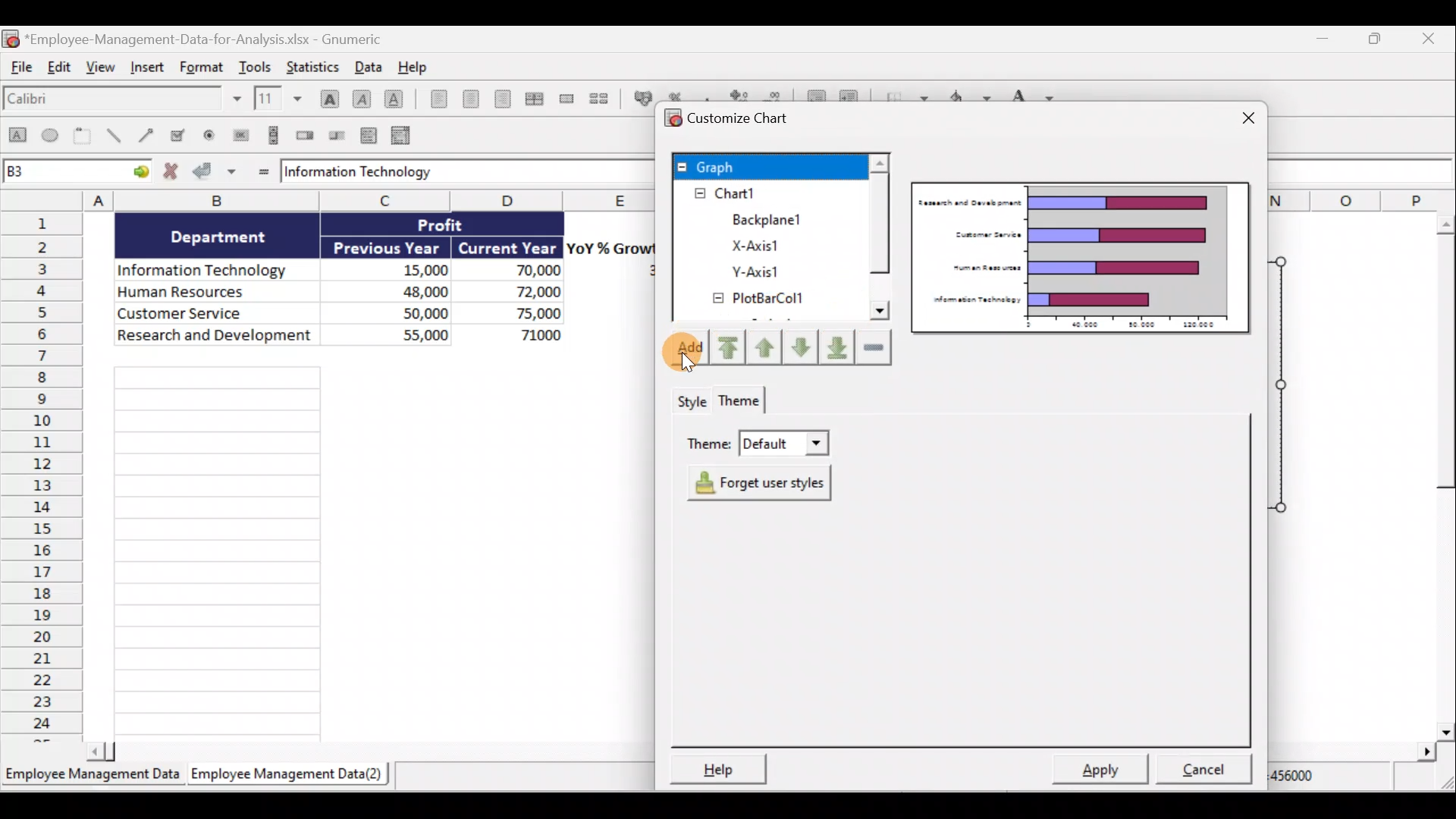  I want to click on Create an arrow object, so click(149, 133).